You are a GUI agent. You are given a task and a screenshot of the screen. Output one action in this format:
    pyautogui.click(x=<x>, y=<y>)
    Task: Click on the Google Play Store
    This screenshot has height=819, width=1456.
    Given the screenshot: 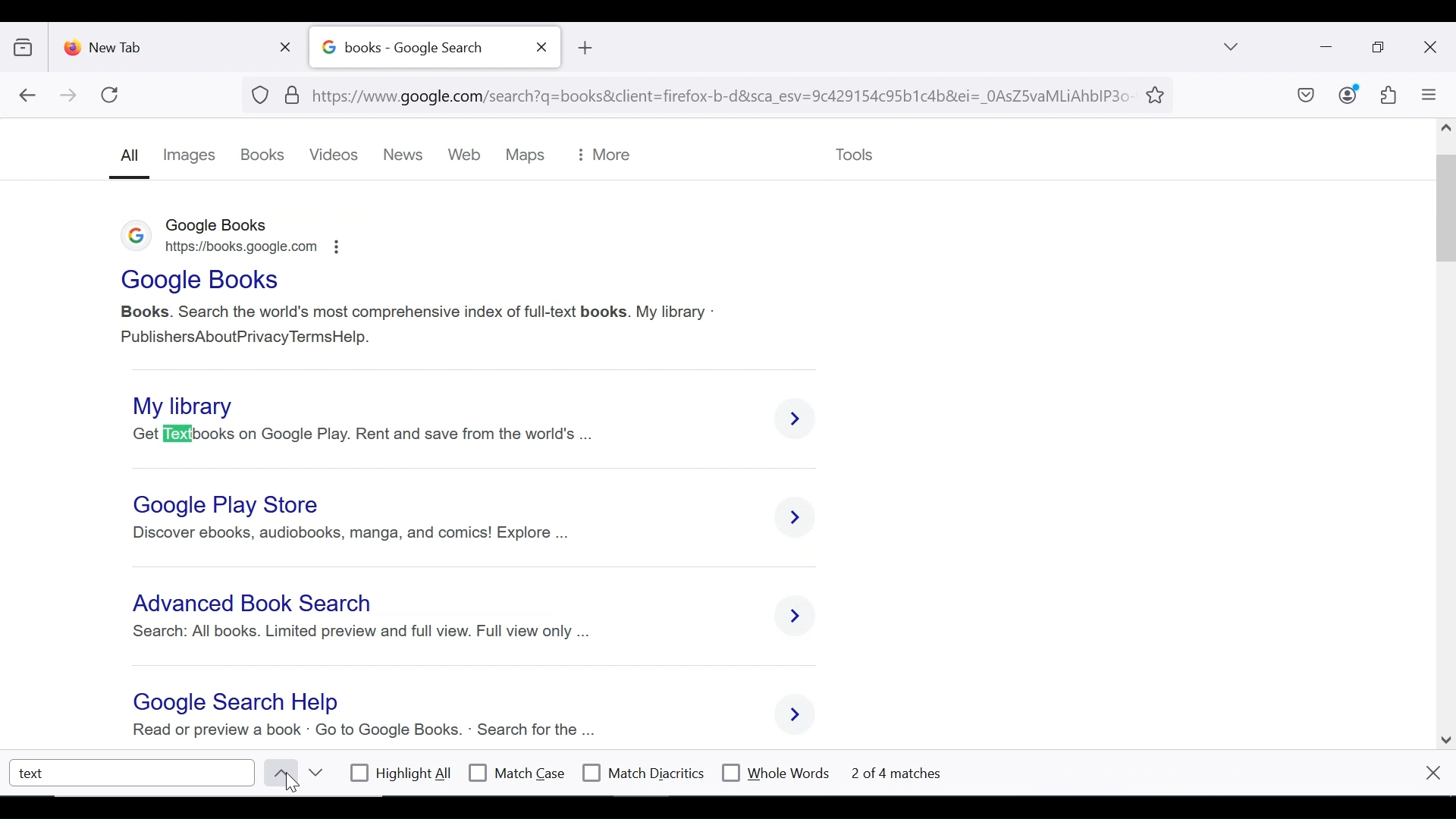 What is the action you would take?
    pyautogui.click(x=230, y=505)
    